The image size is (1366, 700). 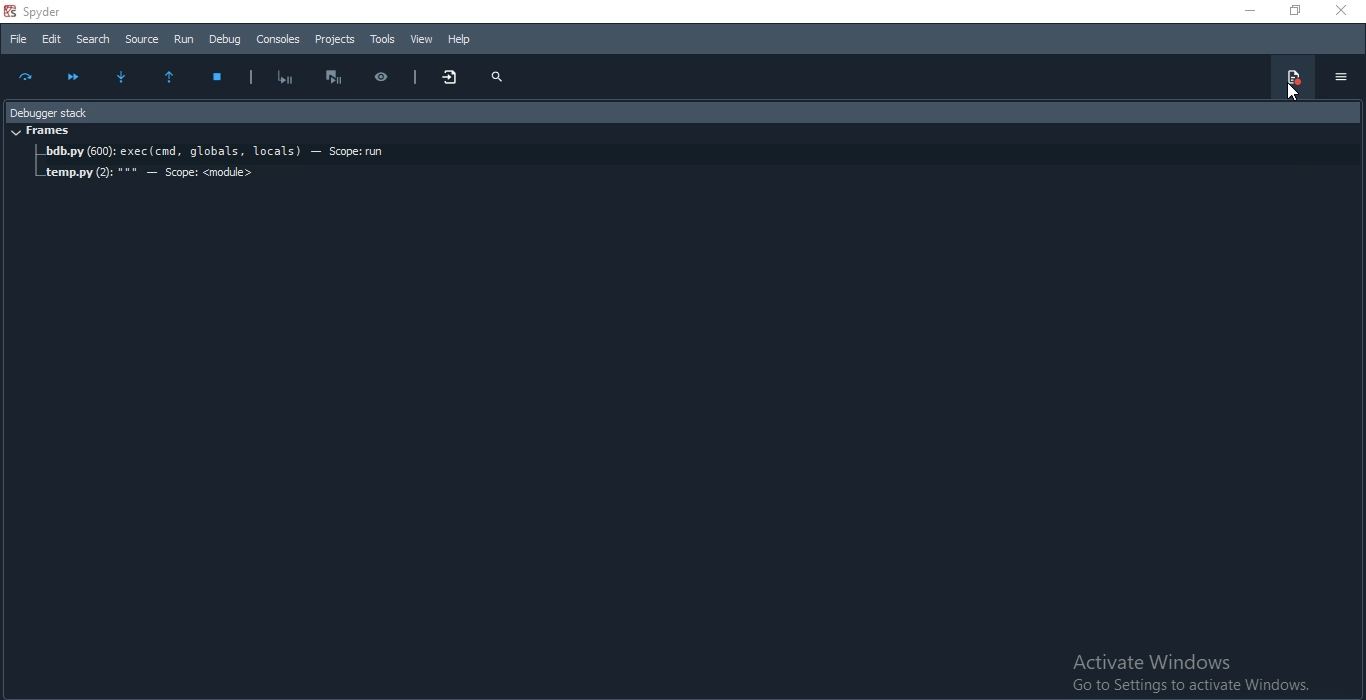 I want to click on Consoles, so click(x=279, y=39).